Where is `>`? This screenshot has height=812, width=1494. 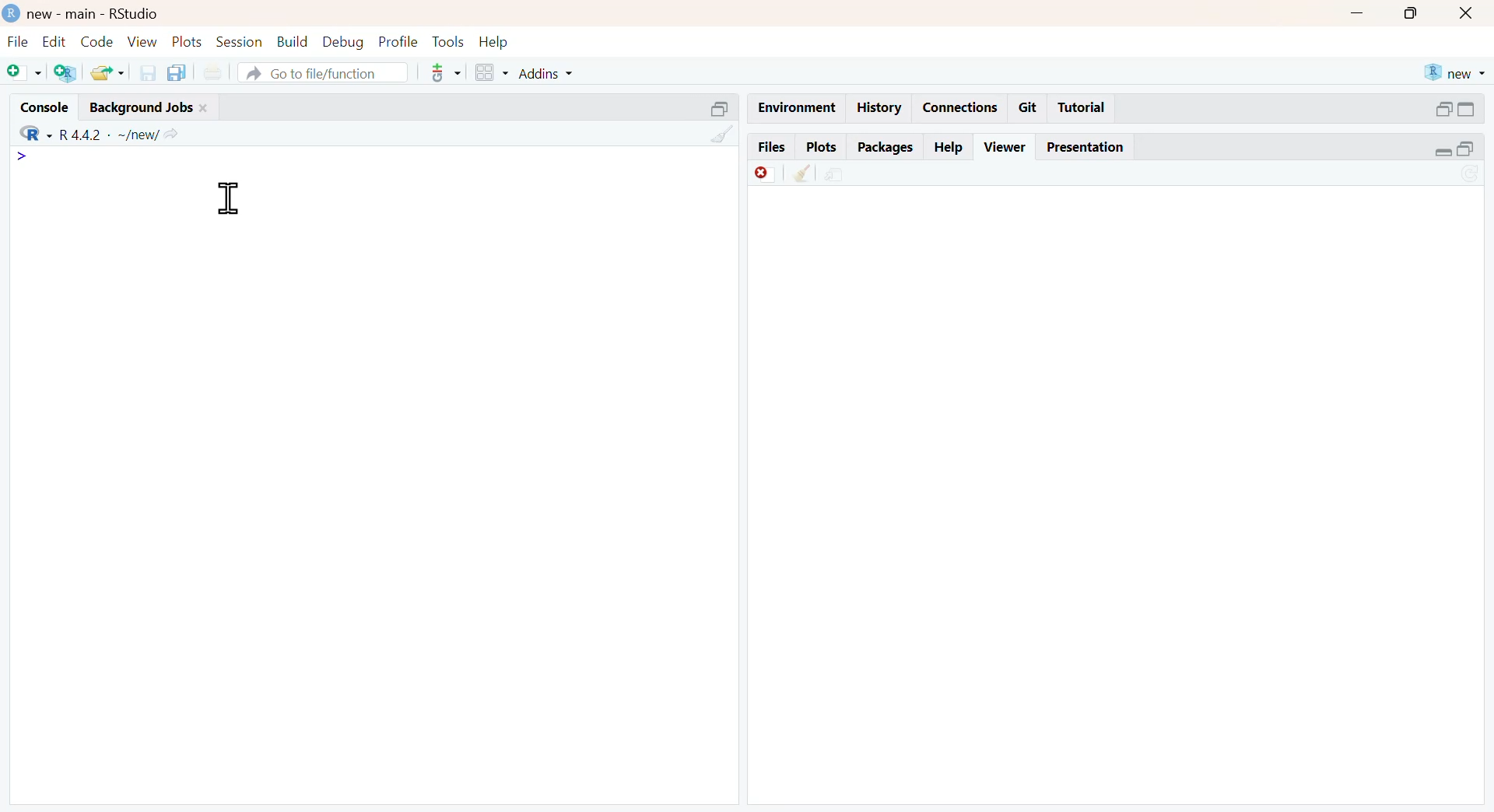
> is located at coordinates (23, 156).